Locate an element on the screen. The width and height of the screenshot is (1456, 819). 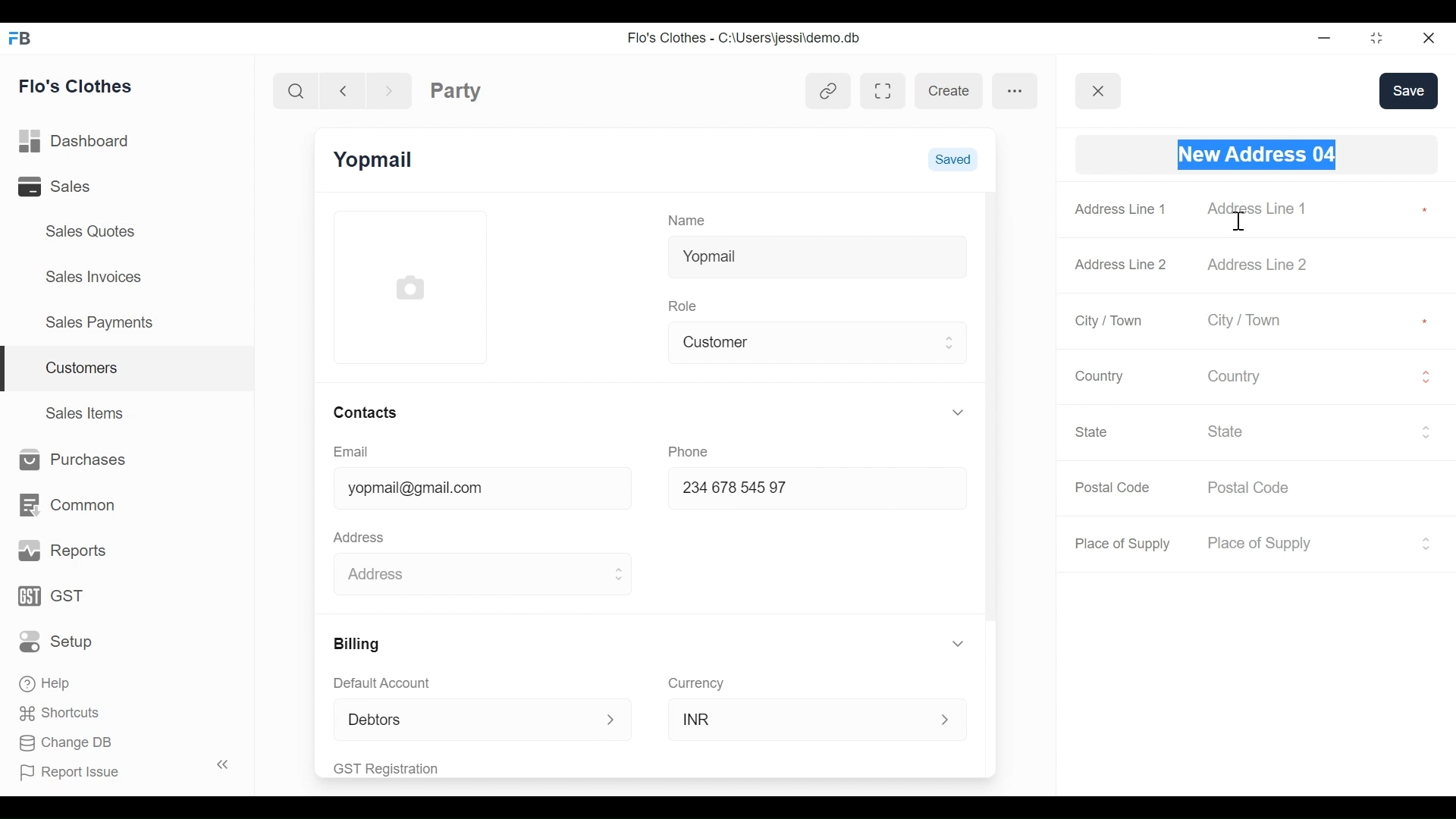
Report Issue is located at coordinates (117, 769).